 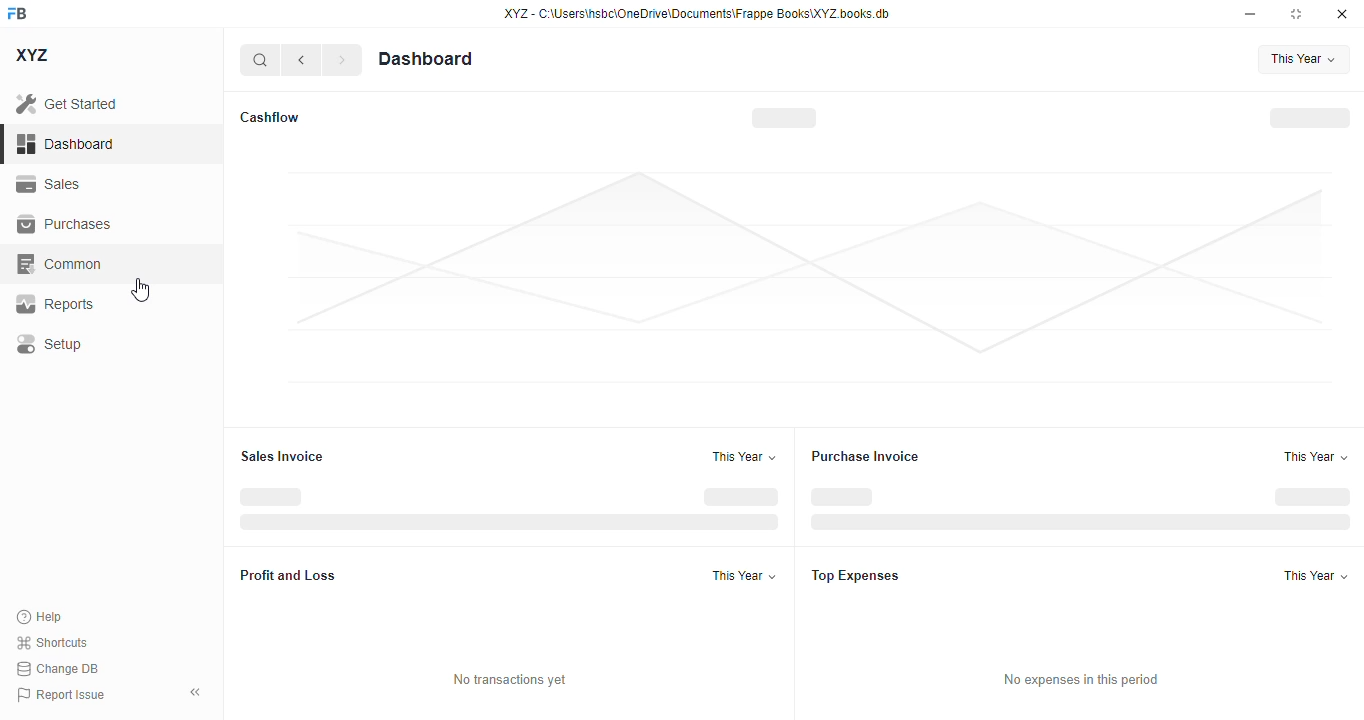 I want to click on shortcuts, so click(x=52, y=642).